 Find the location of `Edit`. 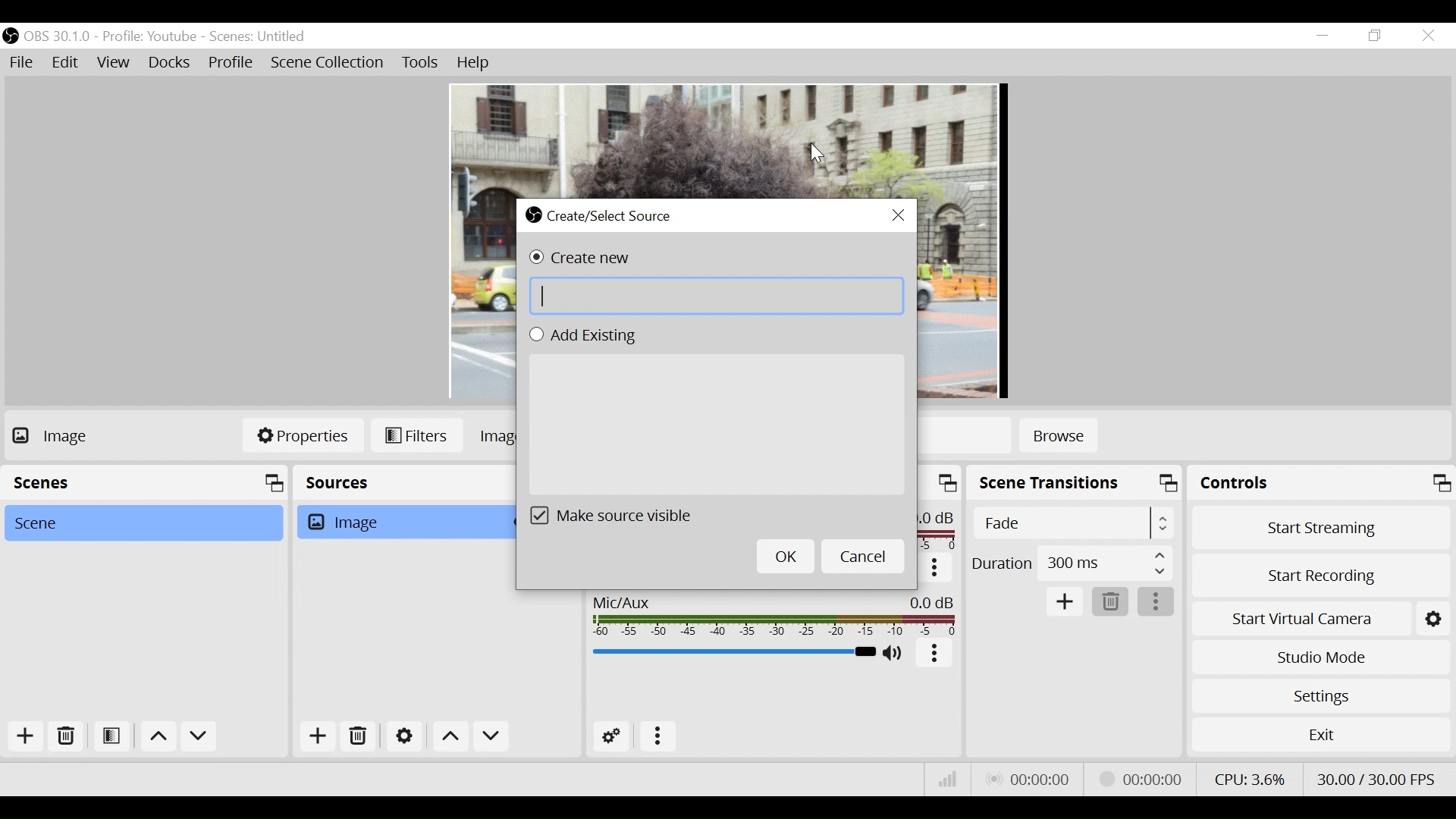

Edit is located at coordinates (66, 64).